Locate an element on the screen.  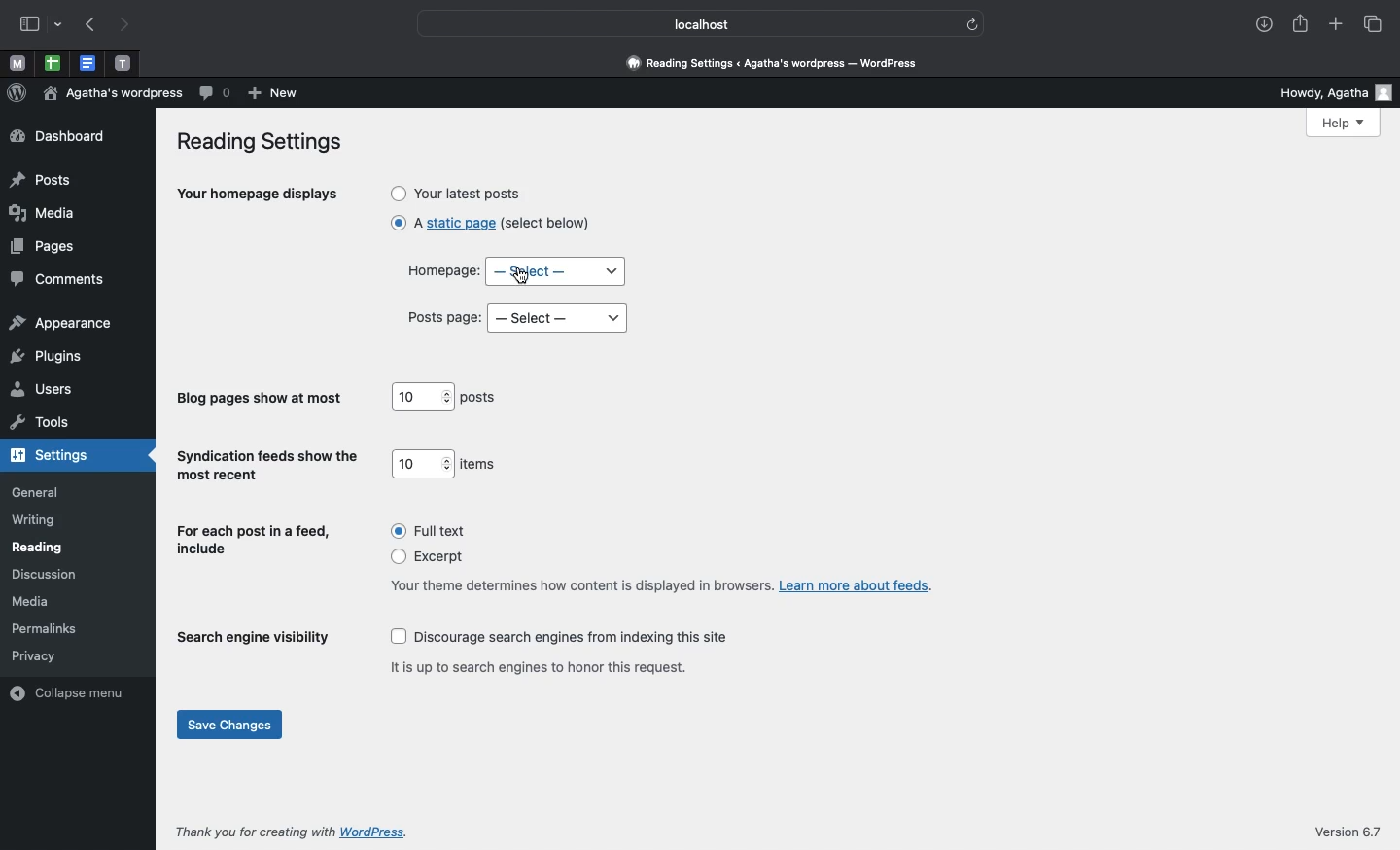
Items is located at coordinates (480, 465).